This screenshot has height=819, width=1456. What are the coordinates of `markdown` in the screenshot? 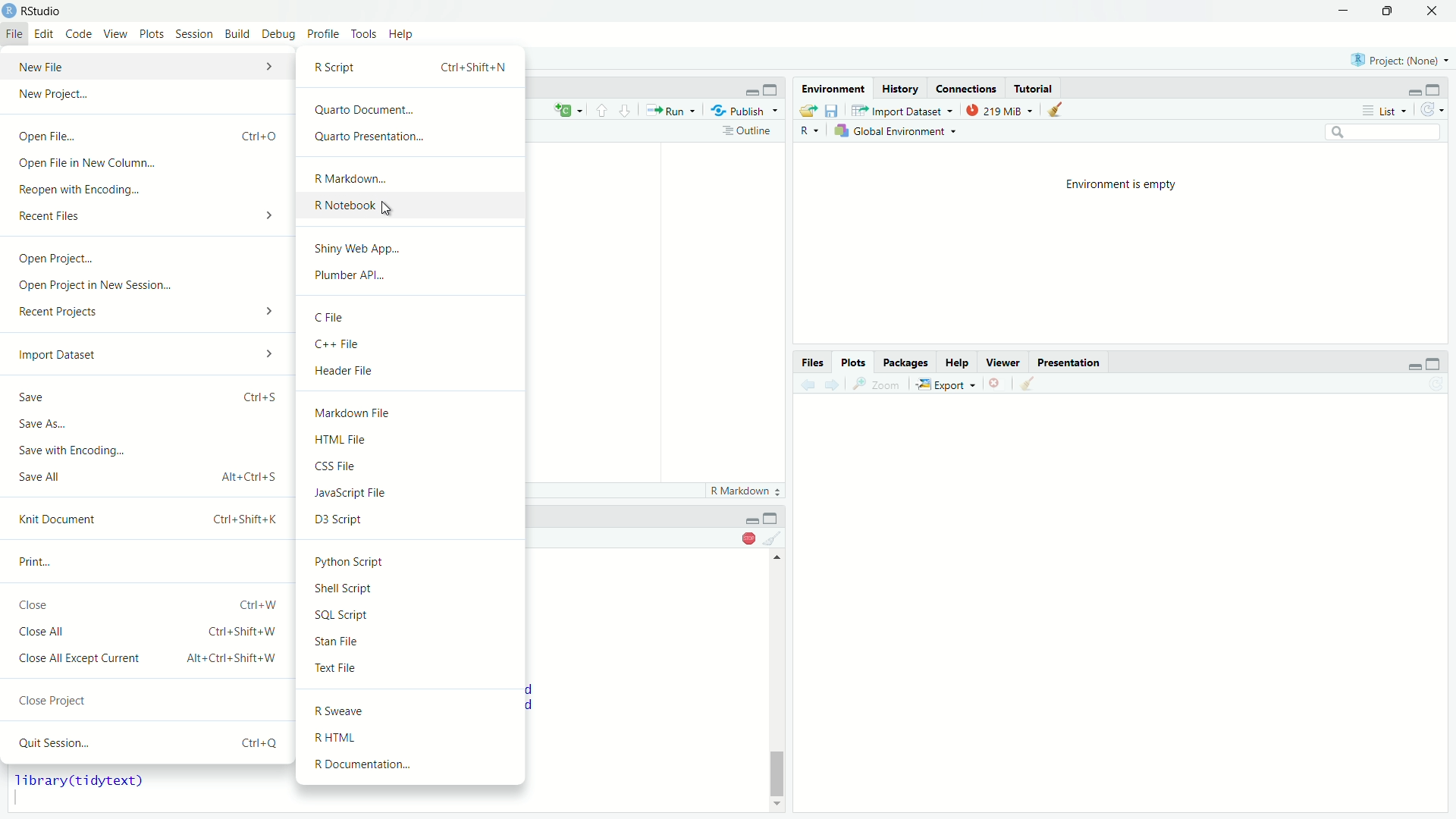 It's located at (740, 491).